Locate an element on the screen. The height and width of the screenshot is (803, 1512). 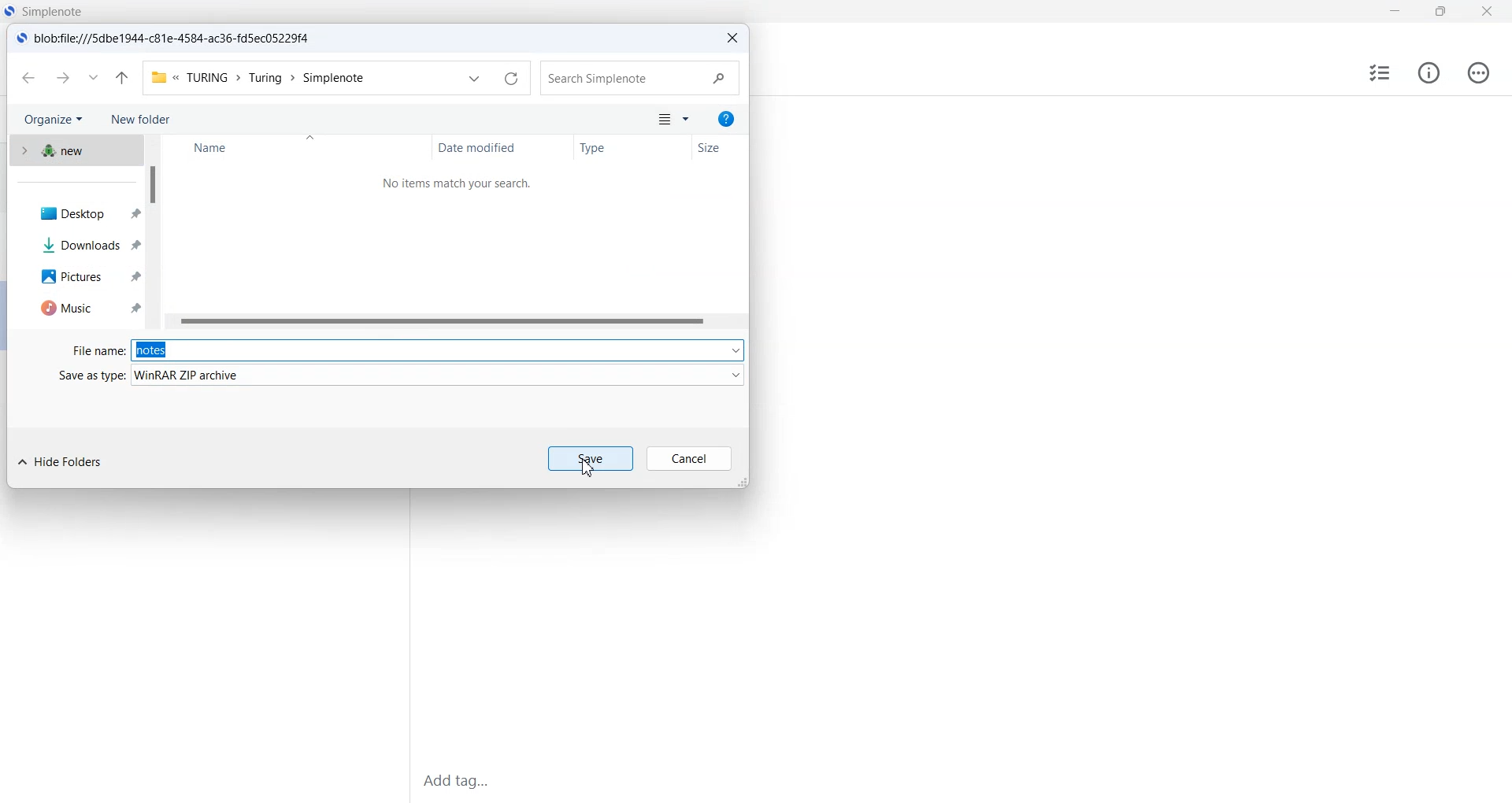
Name is located at coordinates (300, 147).